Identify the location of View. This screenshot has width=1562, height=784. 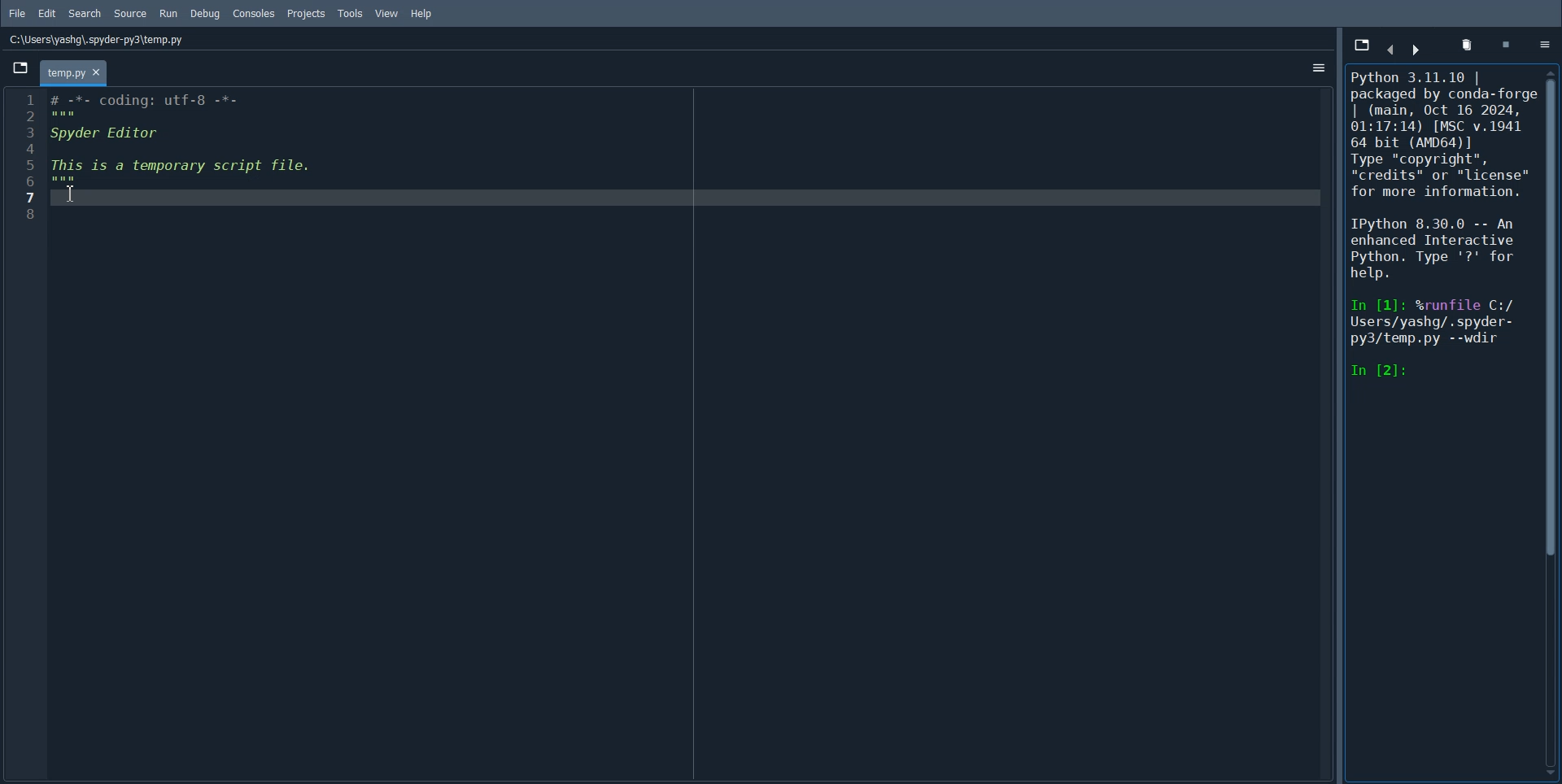
(387, 13).